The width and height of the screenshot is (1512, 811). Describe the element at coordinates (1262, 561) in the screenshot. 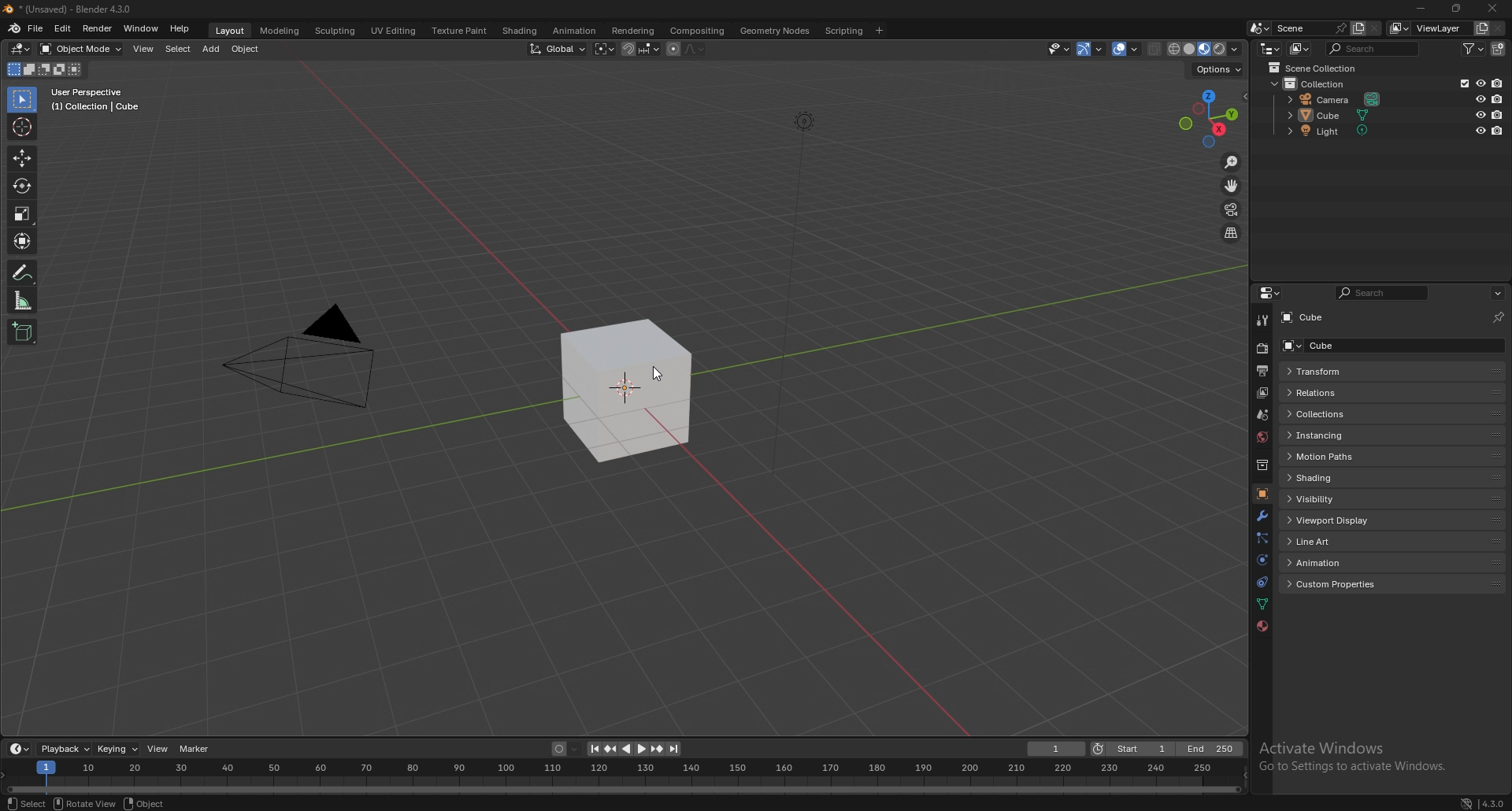

I see `physics` at that location.